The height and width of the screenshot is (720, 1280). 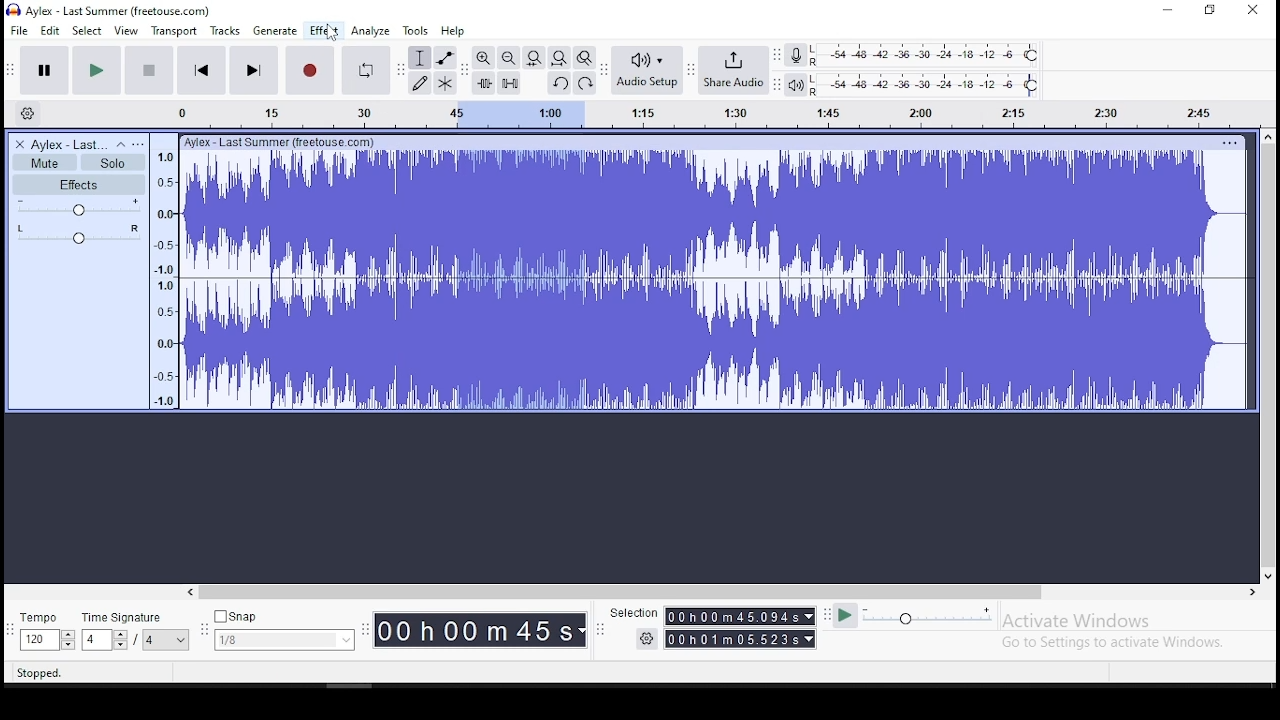 I want to click on playback meter, so click(x=801, y=83).